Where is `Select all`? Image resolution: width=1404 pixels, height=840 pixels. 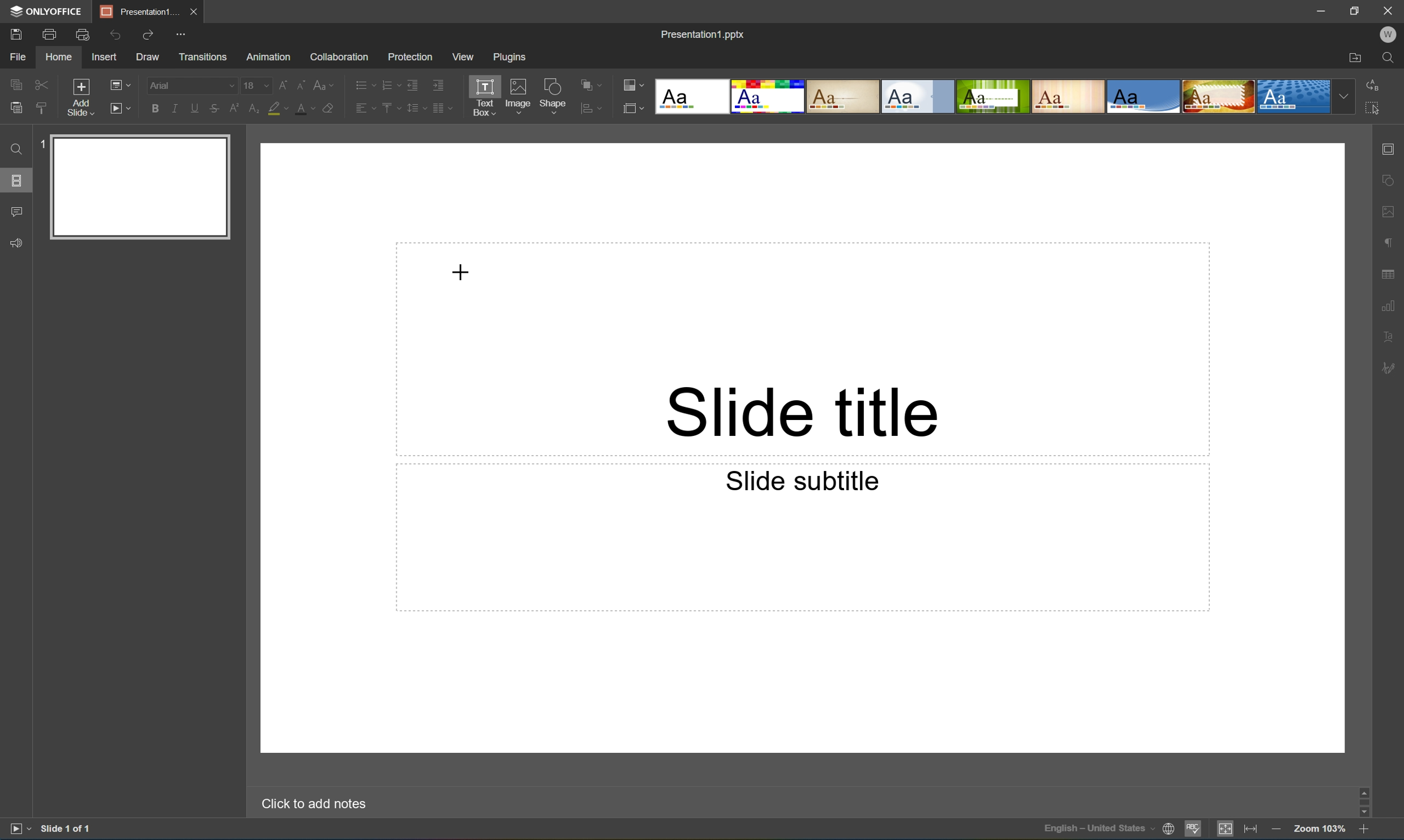 Select all is located at coordinates (1376, 112).